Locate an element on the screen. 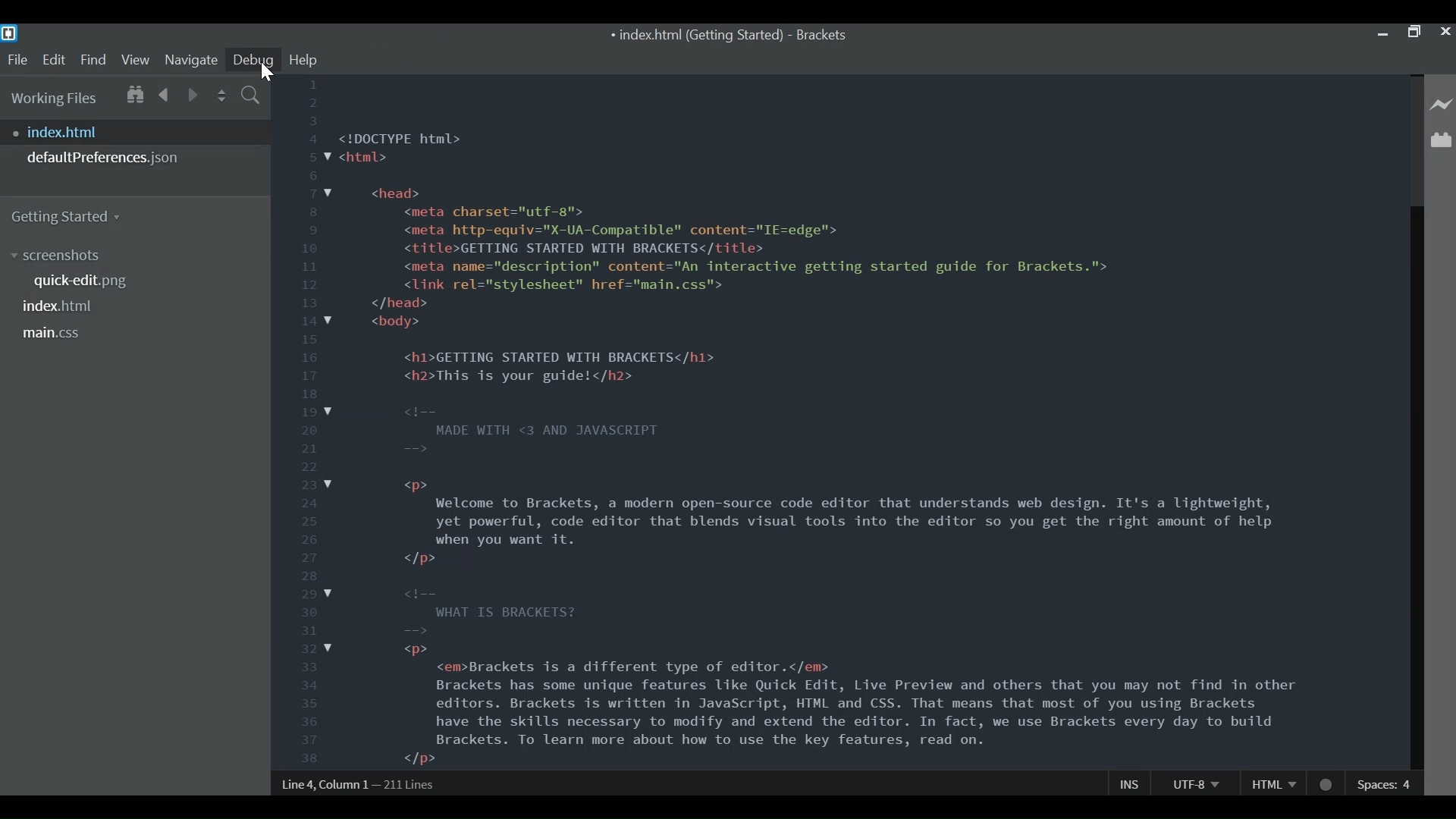 The width and height of the screenshot is (1456, 819). quick-edit.png is located at coordinates (87, 283).